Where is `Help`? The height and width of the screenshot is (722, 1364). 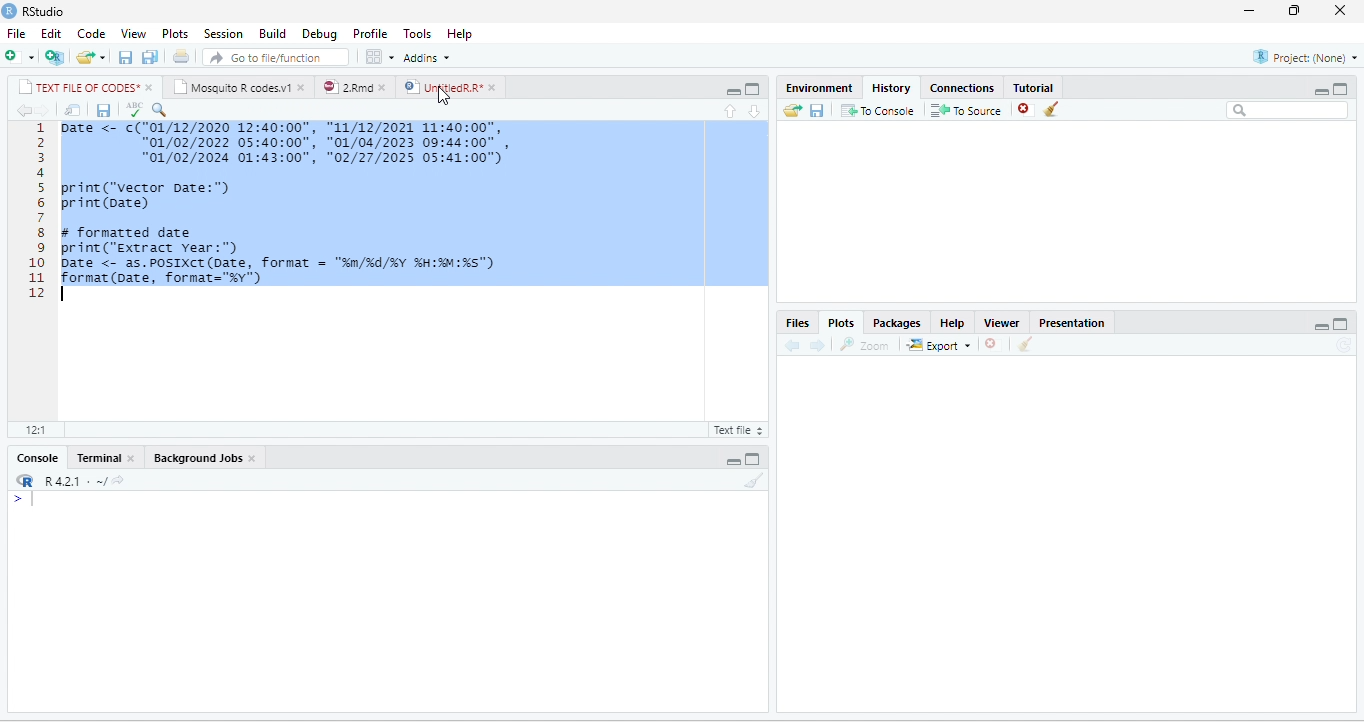
Help is located at coordinates (460, 35).